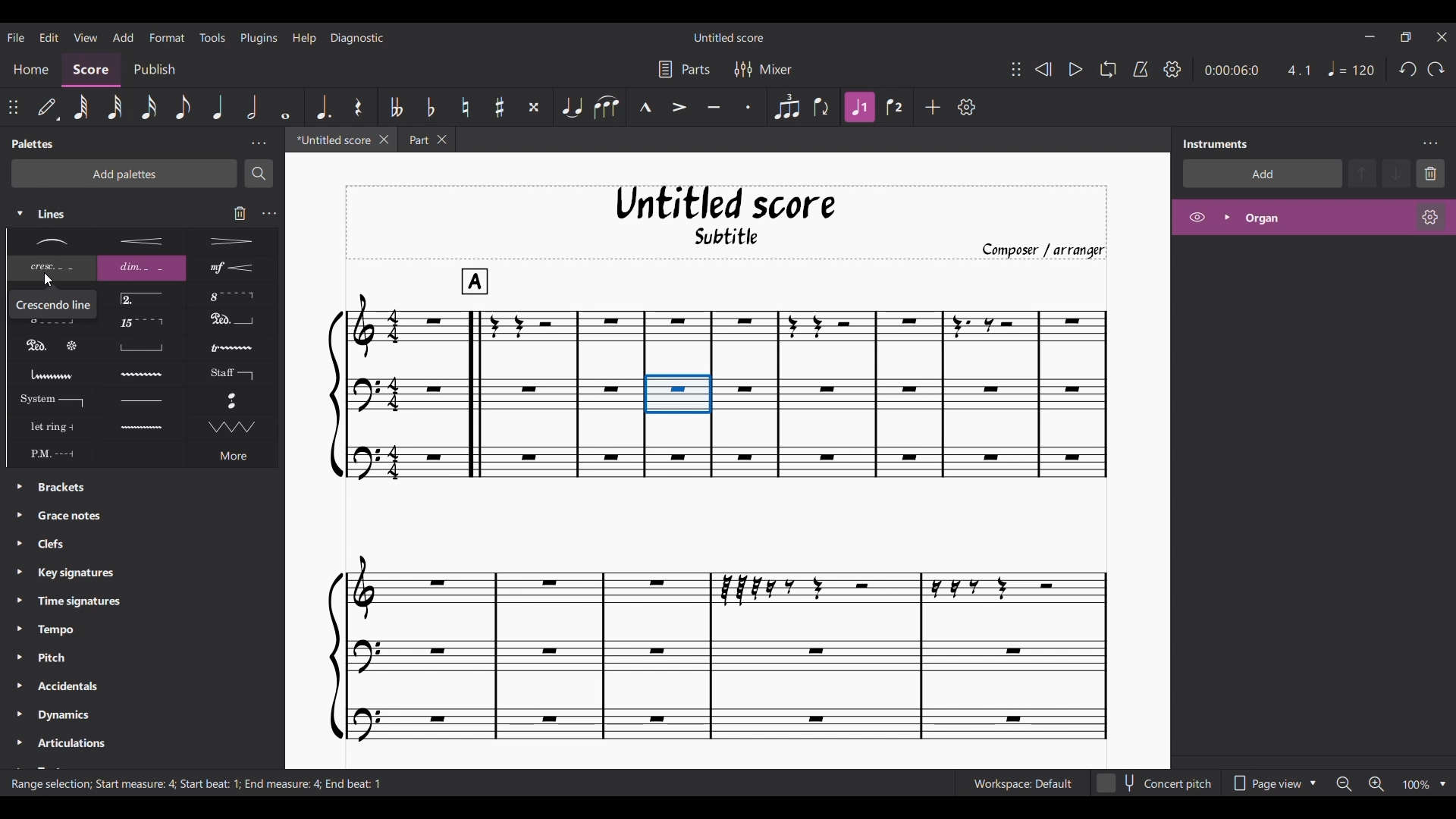 The image size is (1456, 819). I want to click on Rest, so click(358, 106).